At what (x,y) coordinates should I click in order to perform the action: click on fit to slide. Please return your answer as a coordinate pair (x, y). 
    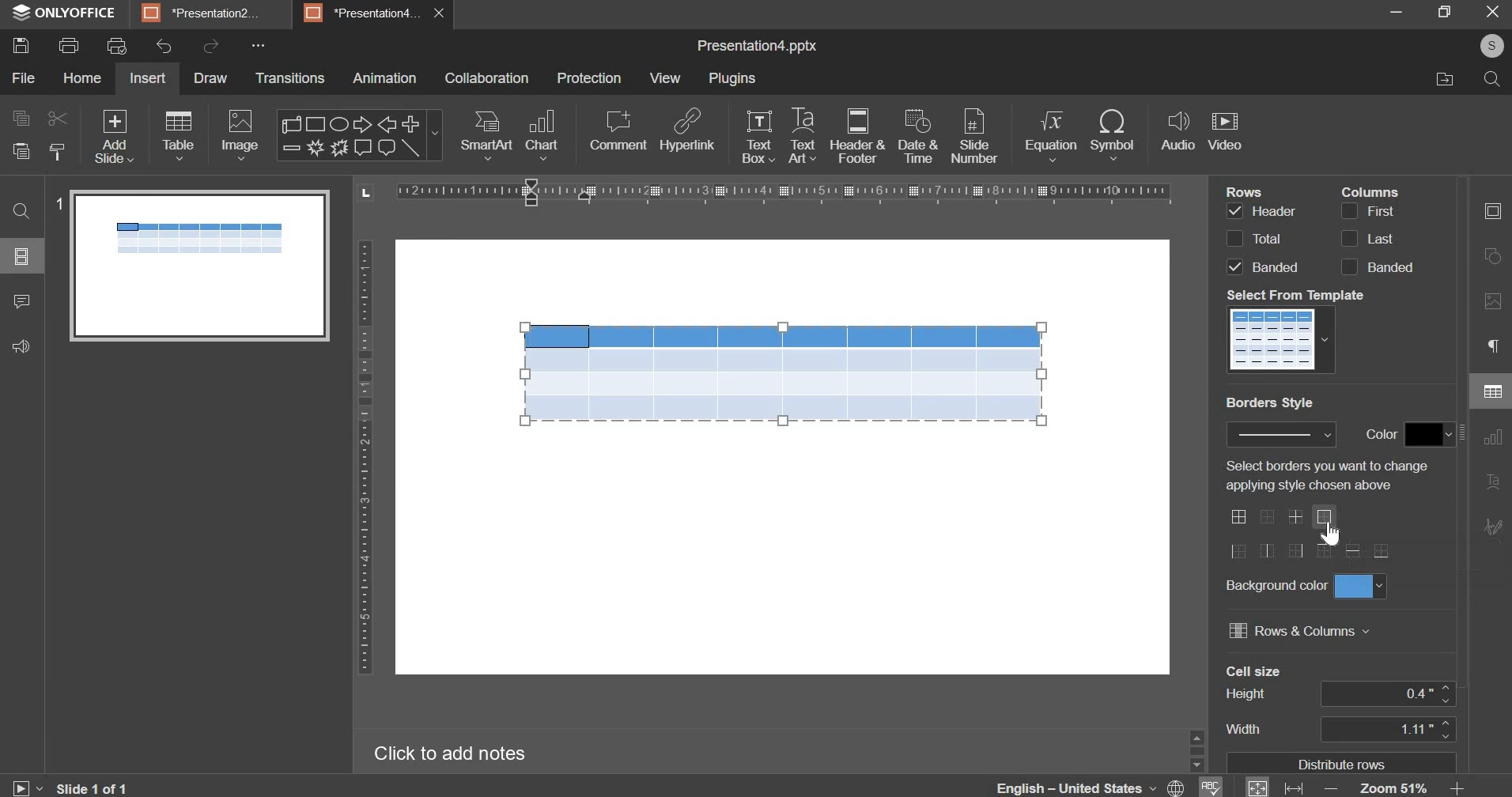
    Looking at the image, I should click on (1257, 788).